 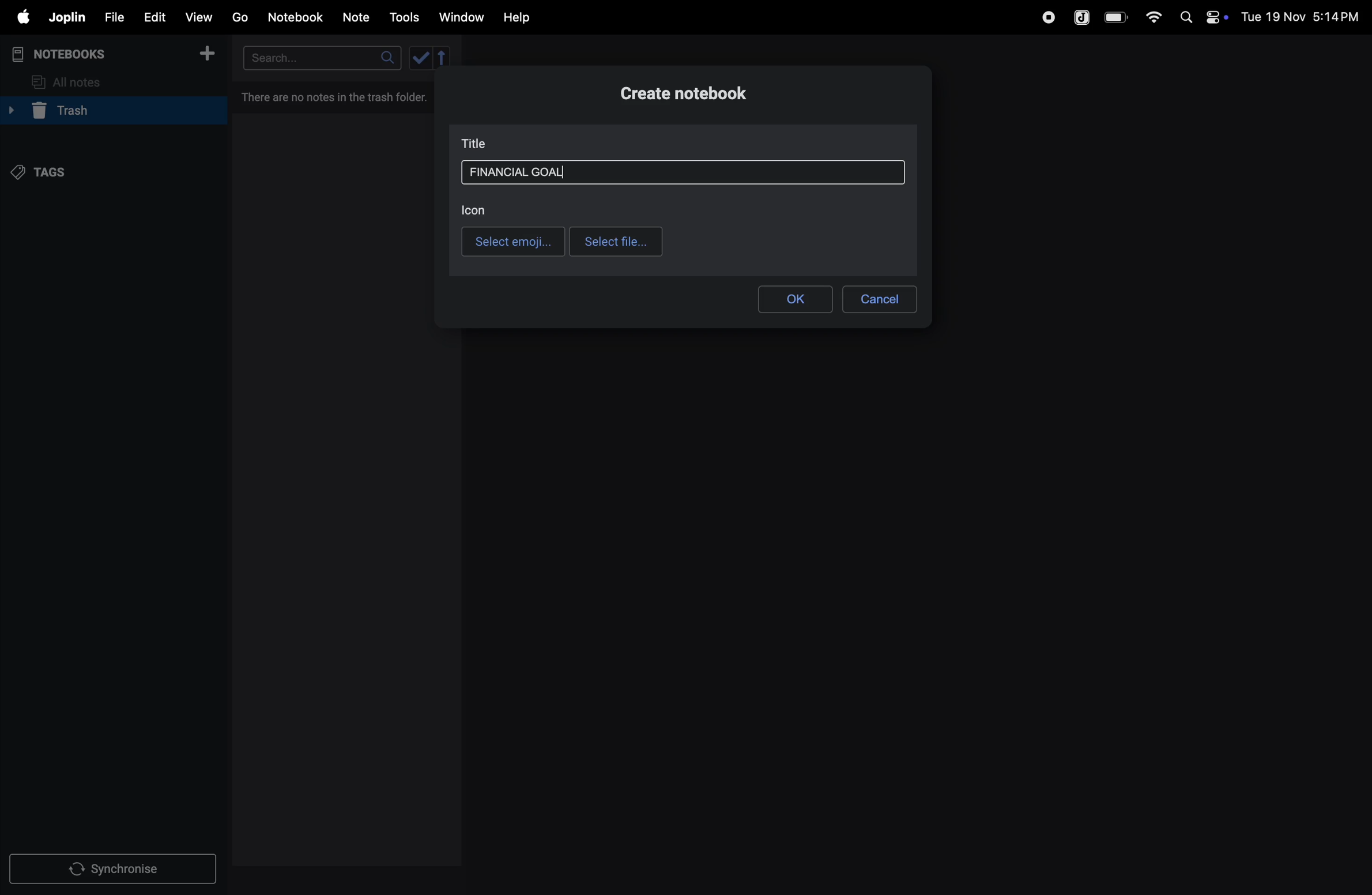 What do you see at coordinates (402, 17) in the screenshot?
I see `tools` at bounding box center [402, 17].